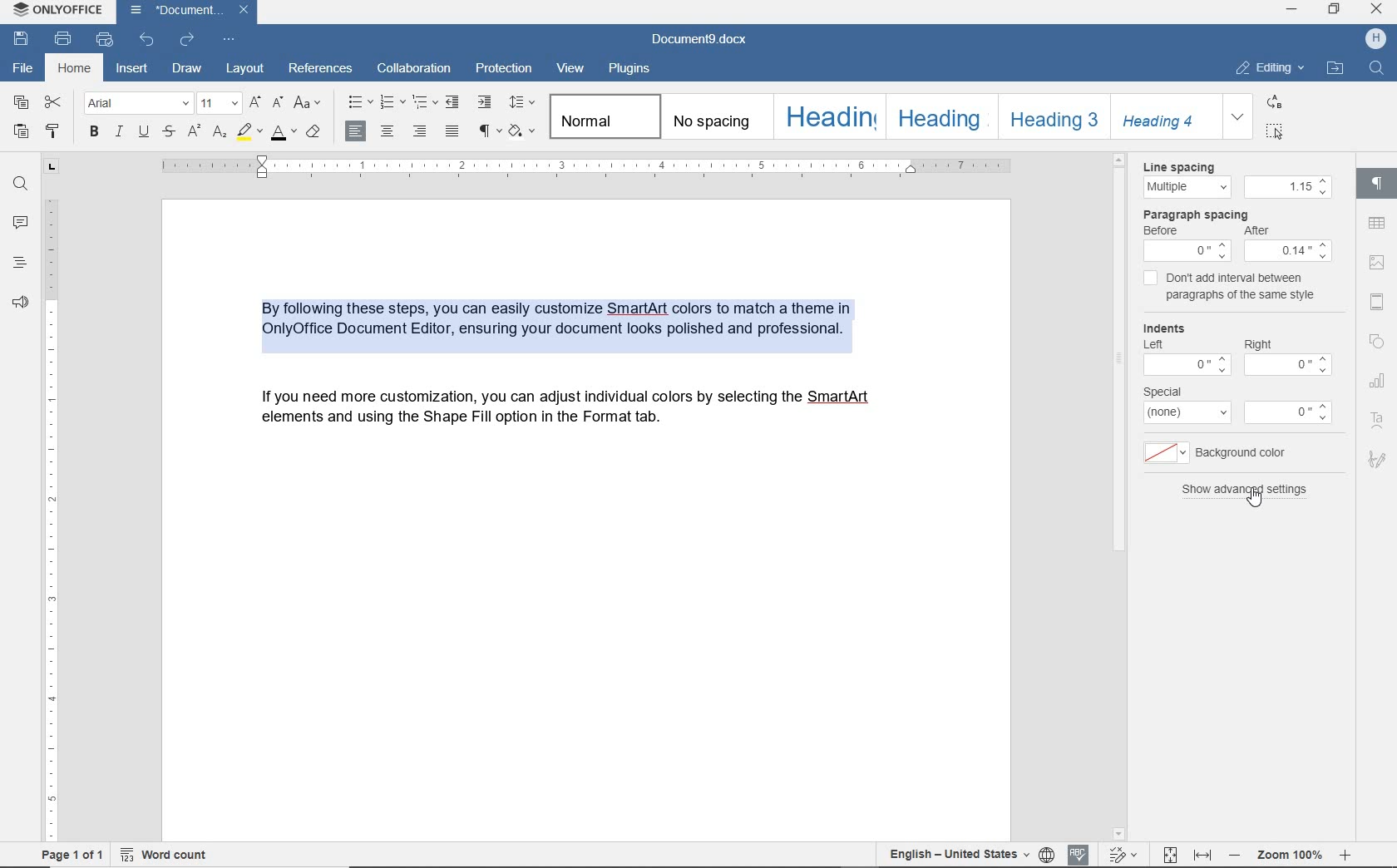 The image size is (1397, 868). What do you see at coordinates (188, 40) in the screenshot?
I see `redo` at bounding box center [188, 40].